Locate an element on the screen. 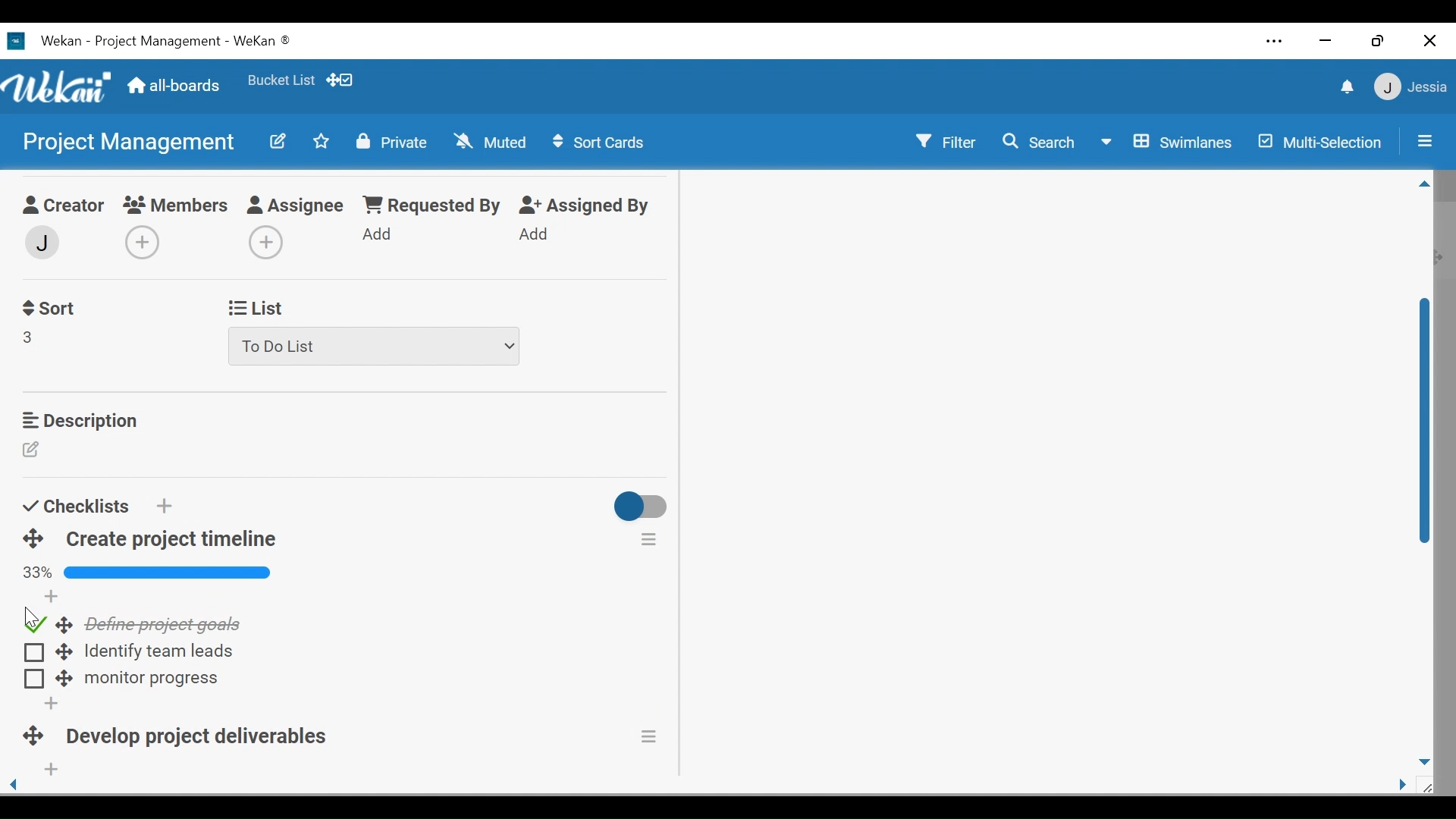 The height and width of the screenshot is (819, 1456). Creator is located at coordinates (61, 207).